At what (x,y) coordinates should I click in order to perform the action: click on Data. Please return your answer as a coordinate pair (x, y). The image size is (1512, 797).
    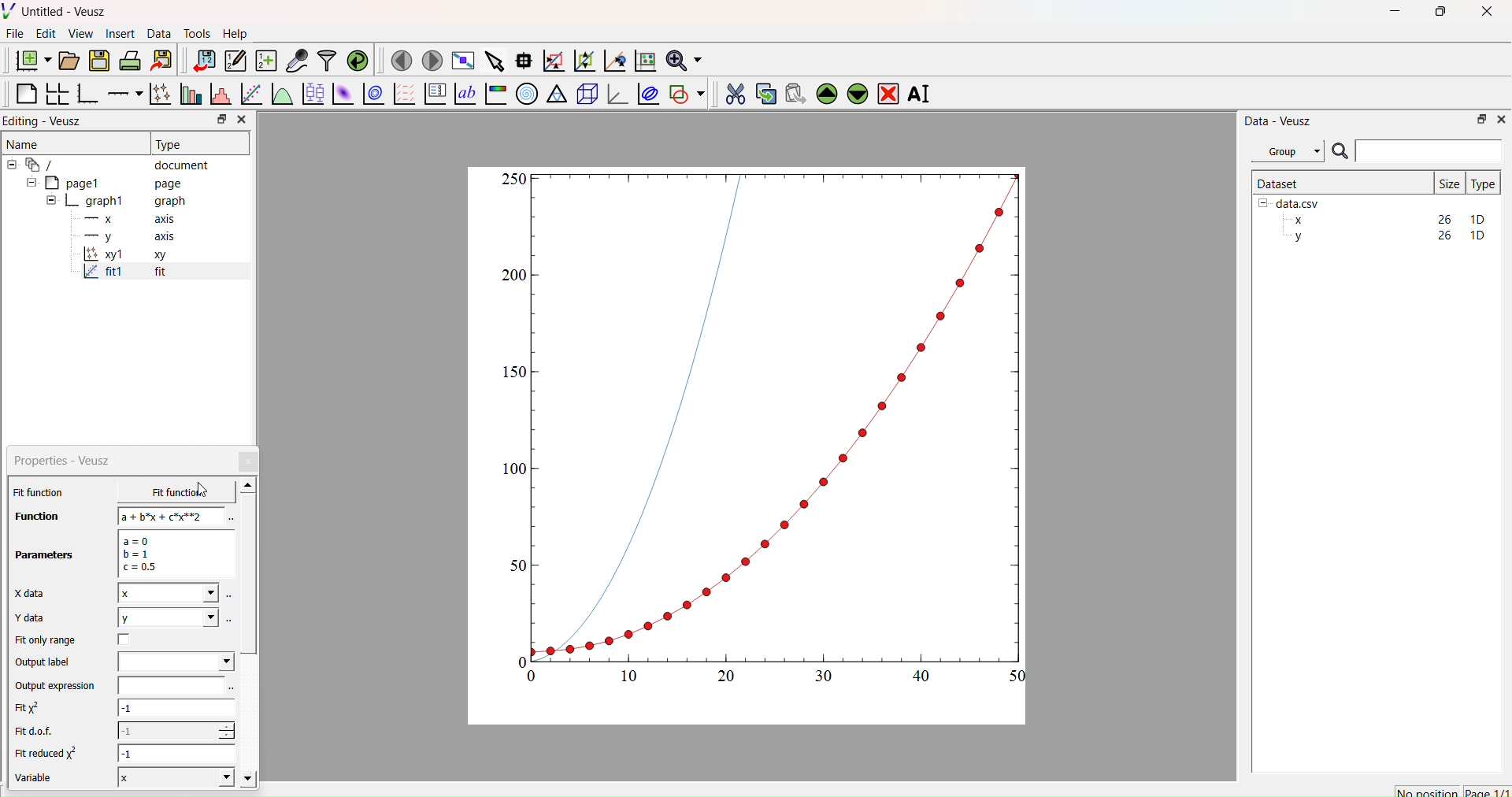
    Looking at the image, I should click on (158, 34).